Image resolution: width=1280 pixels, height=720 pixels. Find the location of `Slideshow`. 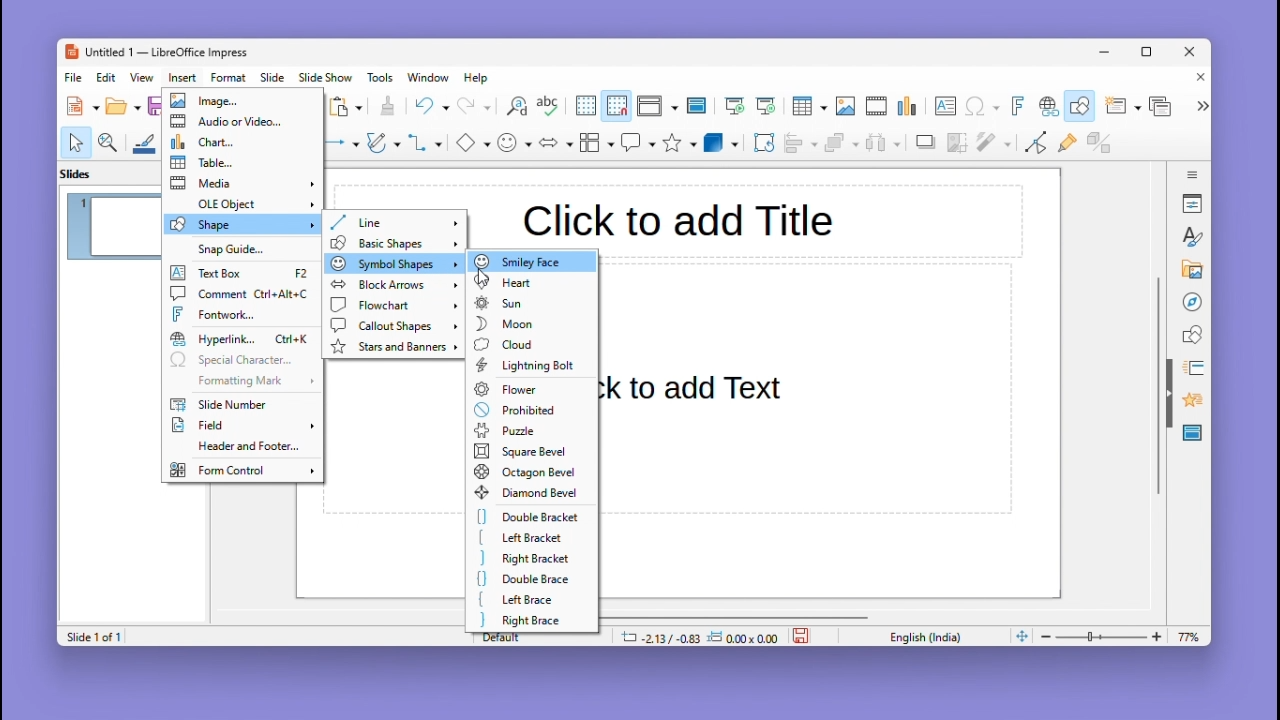

Slideshow is located at coordinates (327, 78).